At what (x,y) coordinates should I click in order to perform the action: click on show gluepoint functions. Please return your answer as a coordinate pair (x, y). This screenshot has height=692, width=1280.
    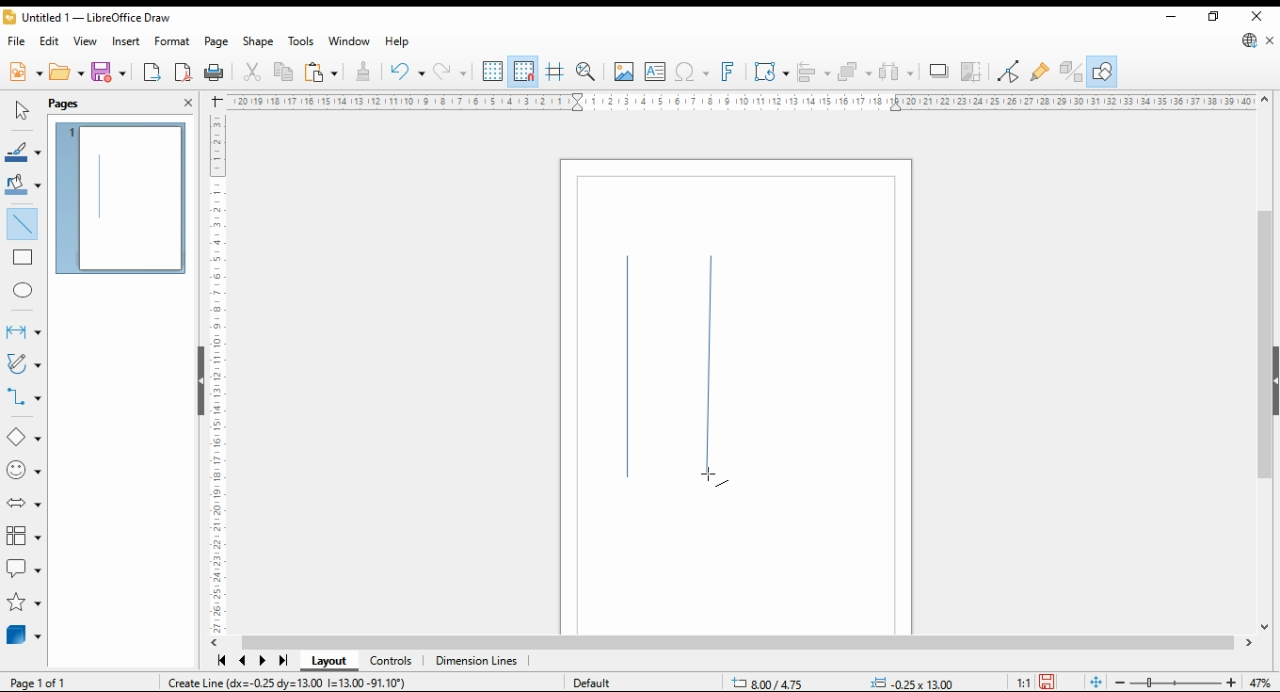
    Looking at the image, I should click on (1040, 70).